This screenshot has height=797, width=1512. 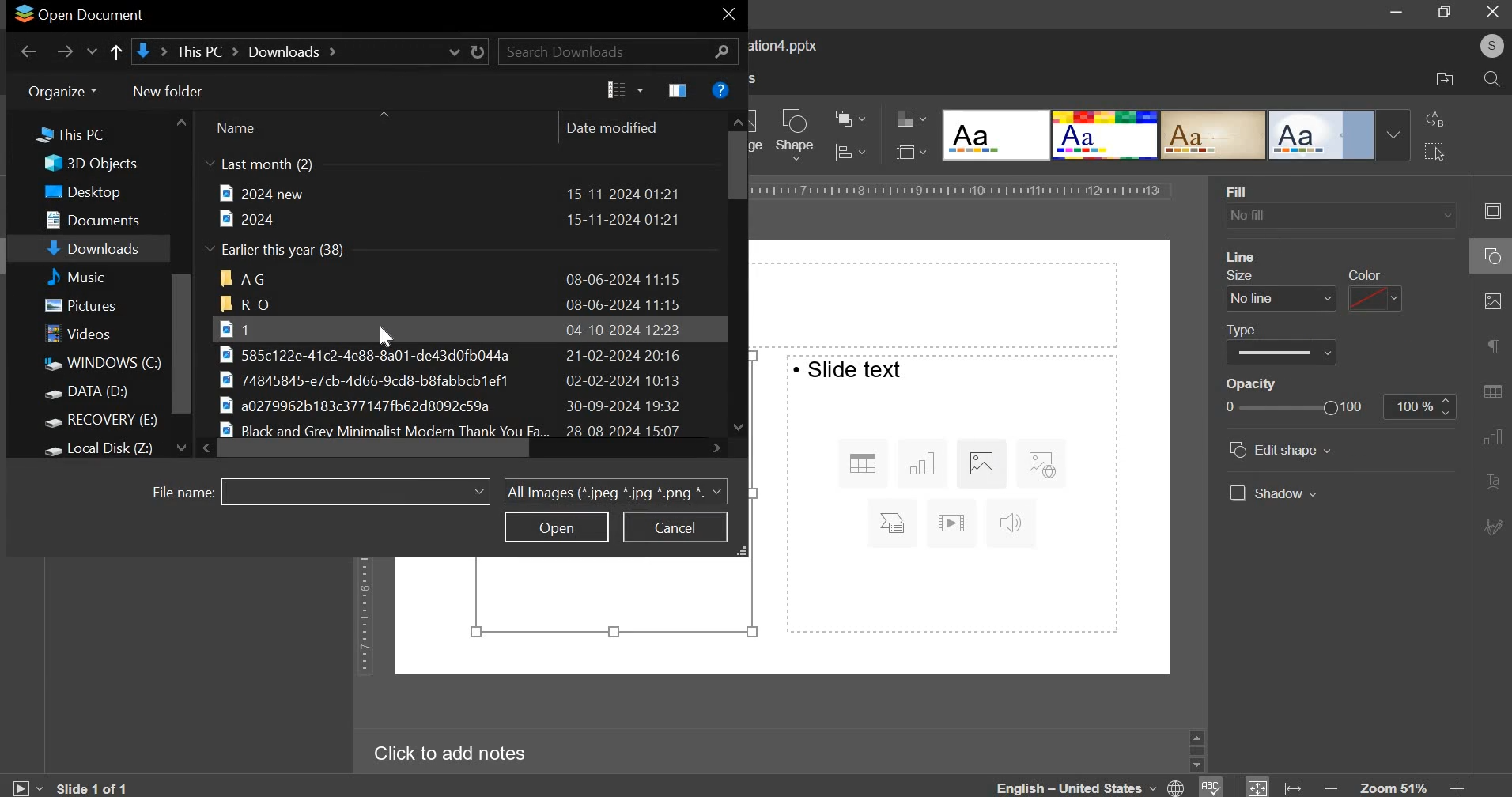 What do you see at coordinates (907, 151) in the screenshot?
I see `select slide size` at bounding box center [907, 151].